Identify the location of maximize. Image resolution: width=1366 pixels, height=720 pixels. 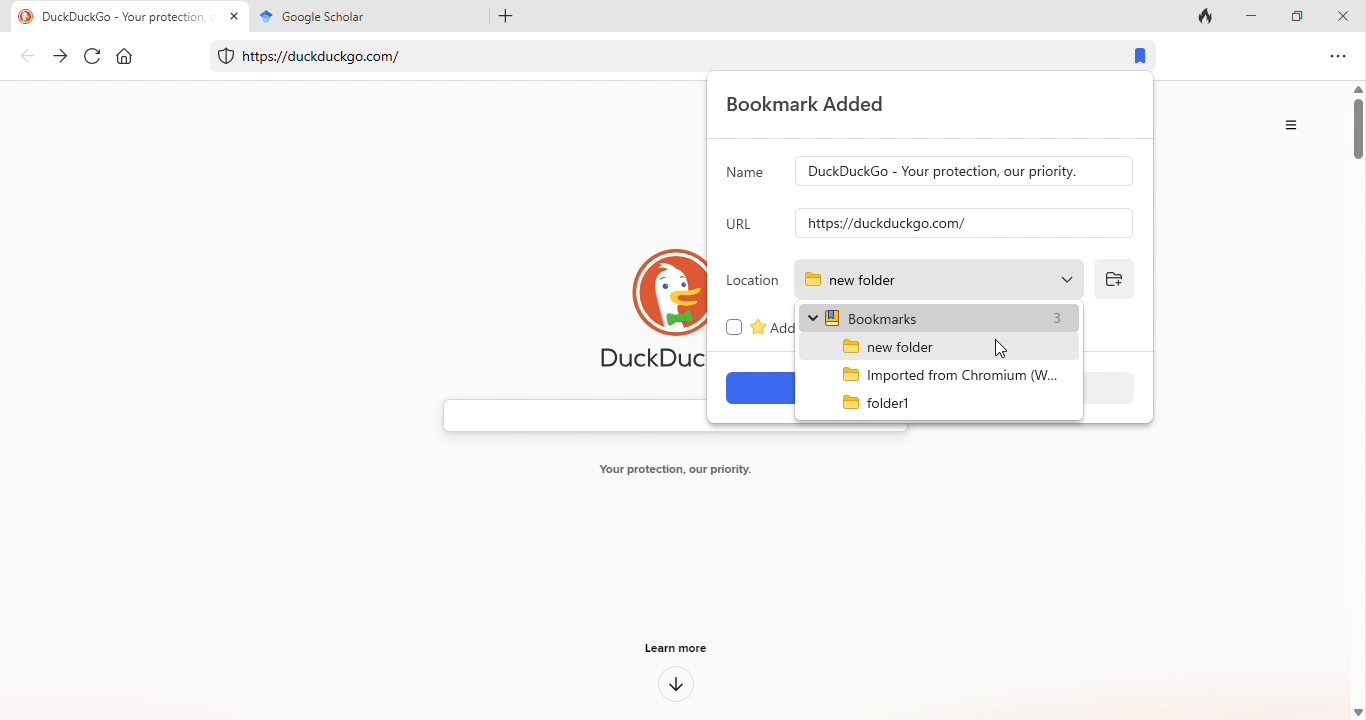
(1301, 15).